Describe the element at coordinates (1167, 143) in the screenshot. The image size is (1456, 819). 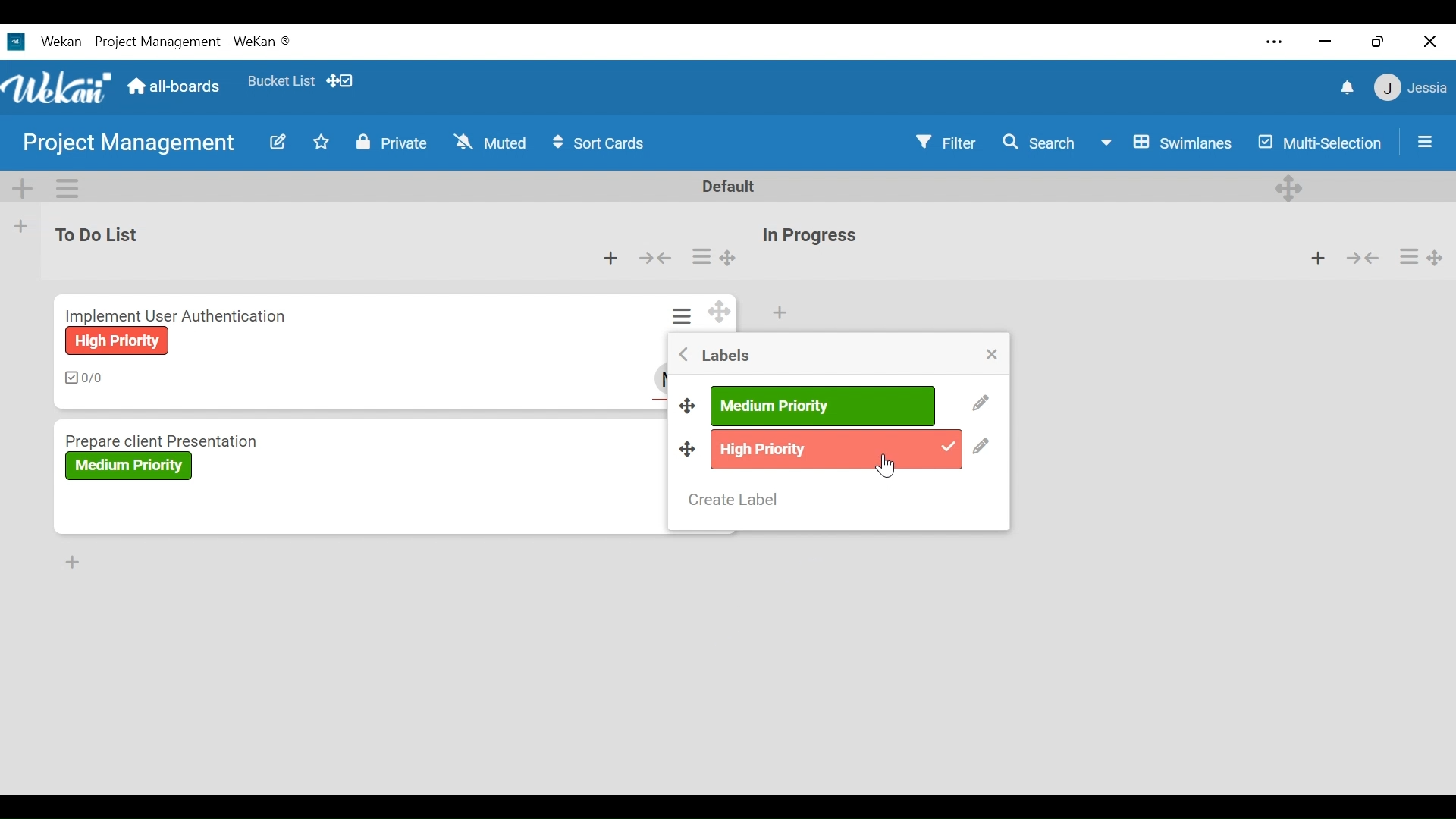
I see `Board View` at that location.